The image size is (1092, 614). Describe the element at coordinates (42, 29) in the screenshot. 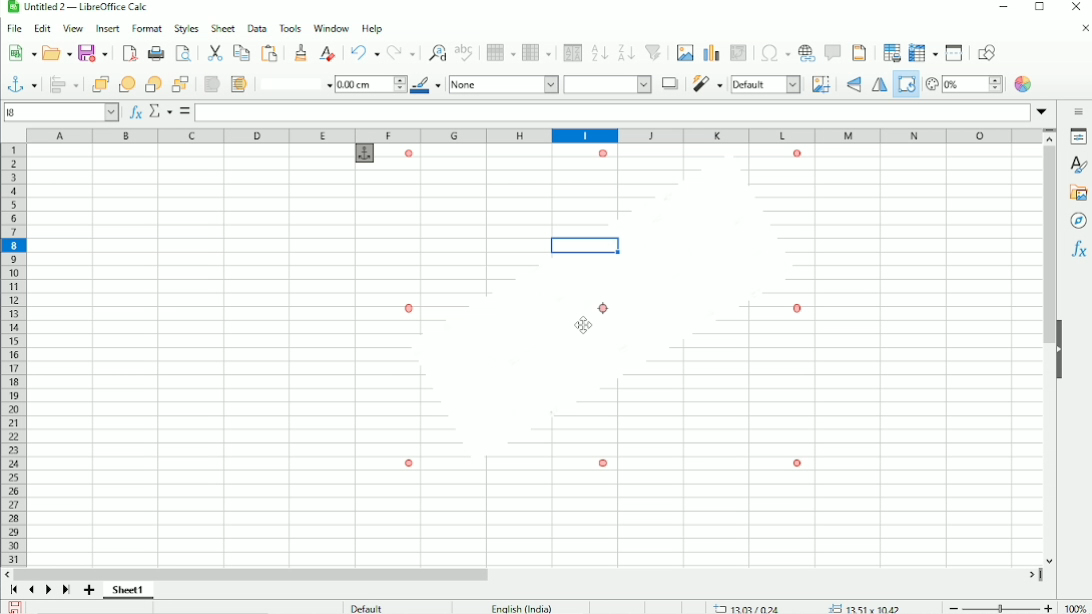

I see `Edit` at that location.